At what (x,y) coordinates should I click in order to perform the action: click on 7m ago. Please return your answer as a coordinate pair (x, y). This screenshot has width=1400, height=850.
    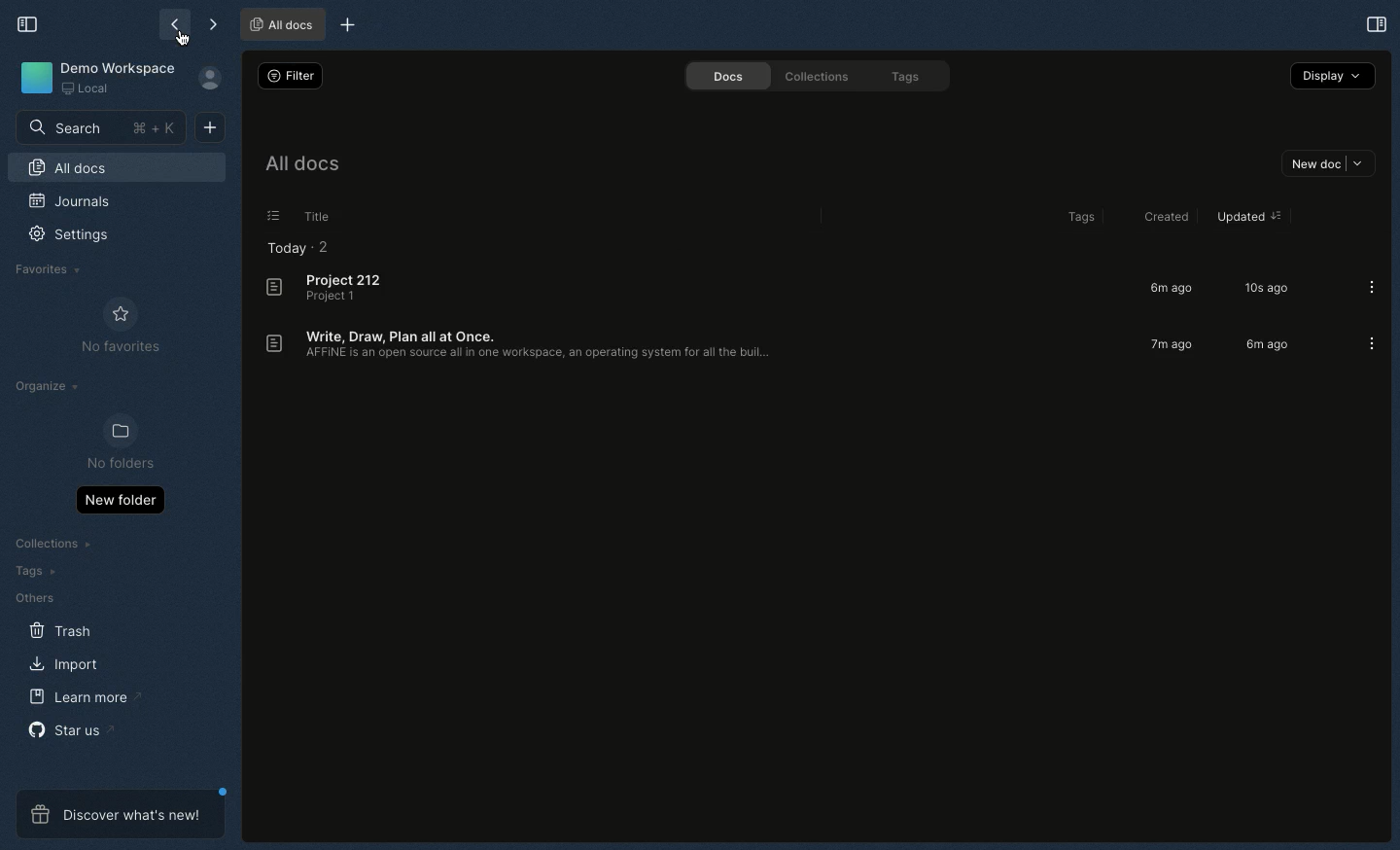
    Looking at the image, I should click on (1170, 345).